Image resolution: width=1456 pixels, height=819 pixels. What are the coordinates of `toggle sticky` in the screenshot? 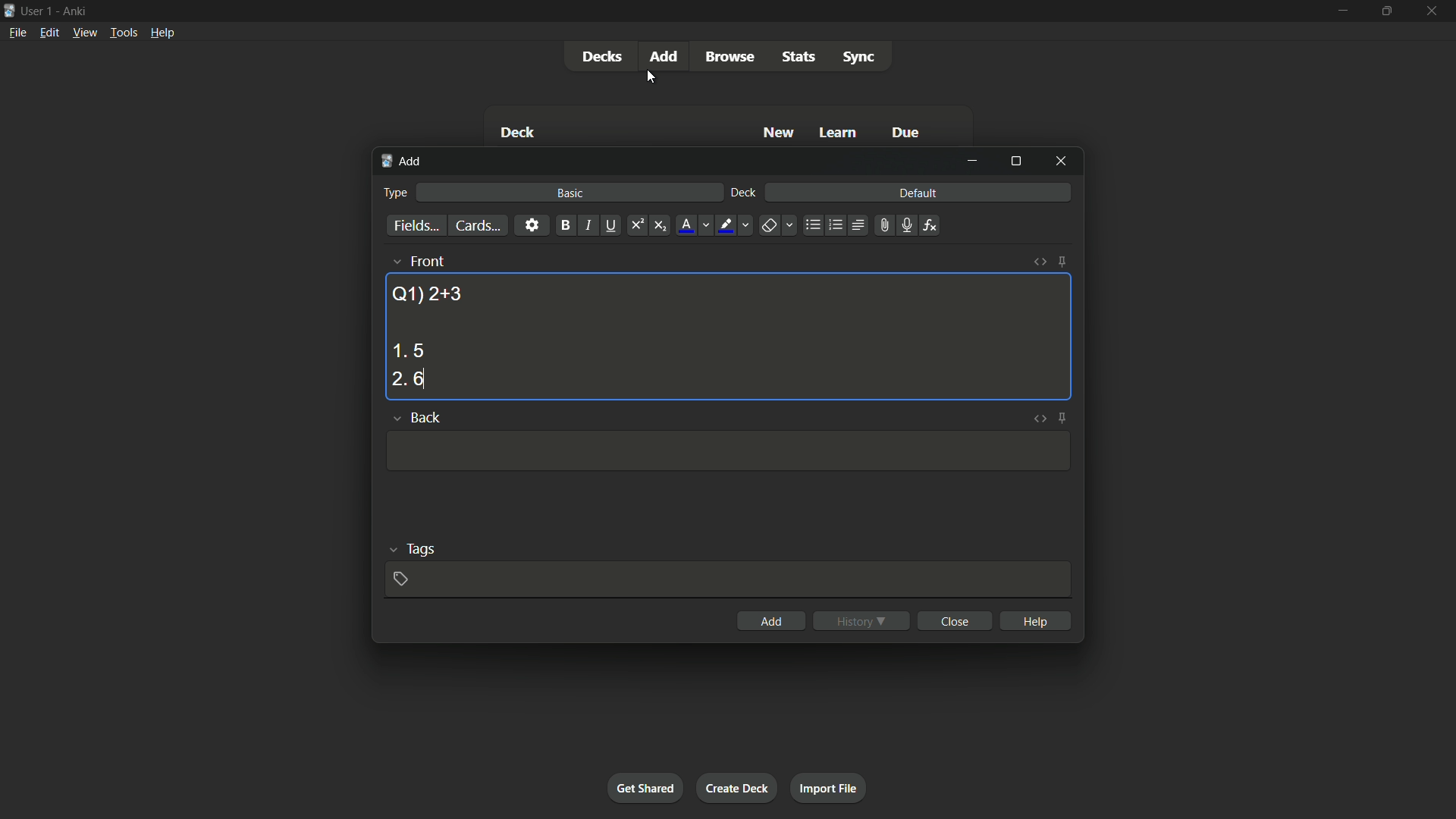 It's located at (1063, 418).